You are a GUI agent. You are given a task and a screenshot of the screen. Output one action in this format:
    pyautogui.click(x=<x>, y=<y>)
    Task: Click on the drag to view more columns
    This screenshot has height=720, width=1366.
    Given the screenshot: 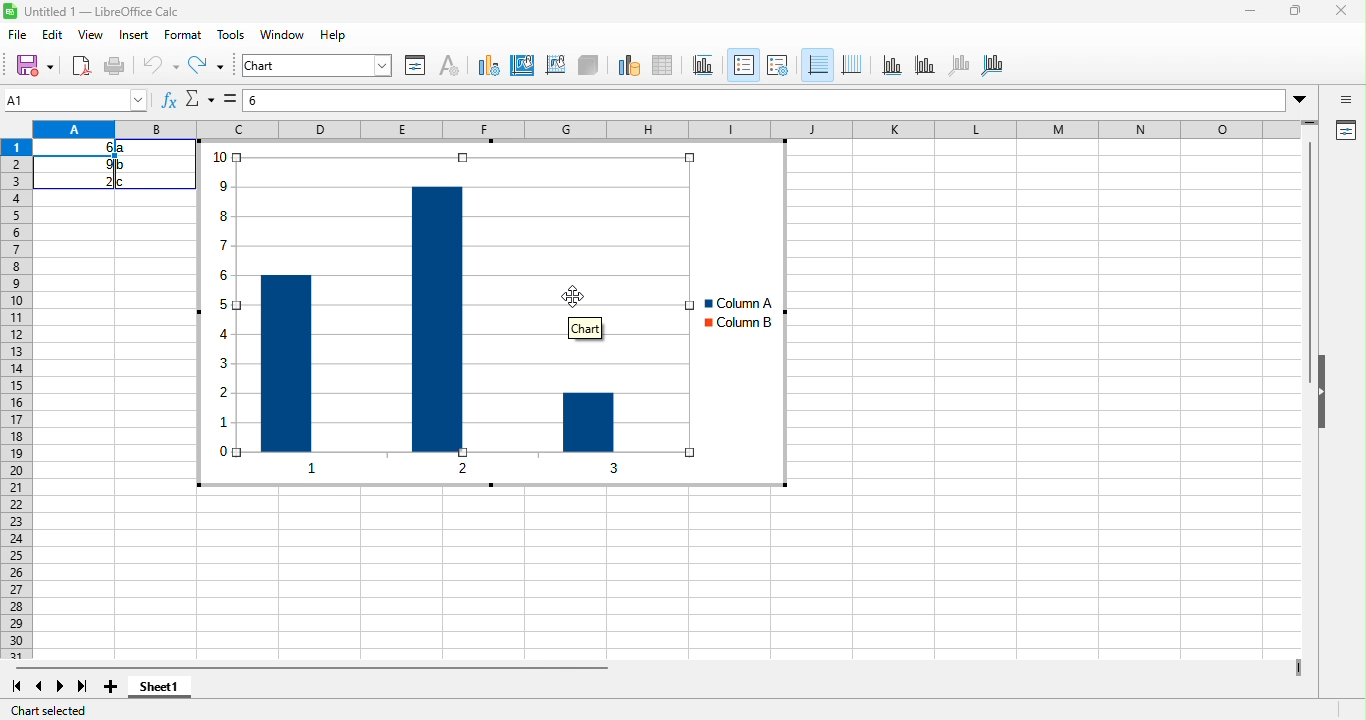 What is the action you would take?
    pyautogui.click(x=1293, y=663)
    